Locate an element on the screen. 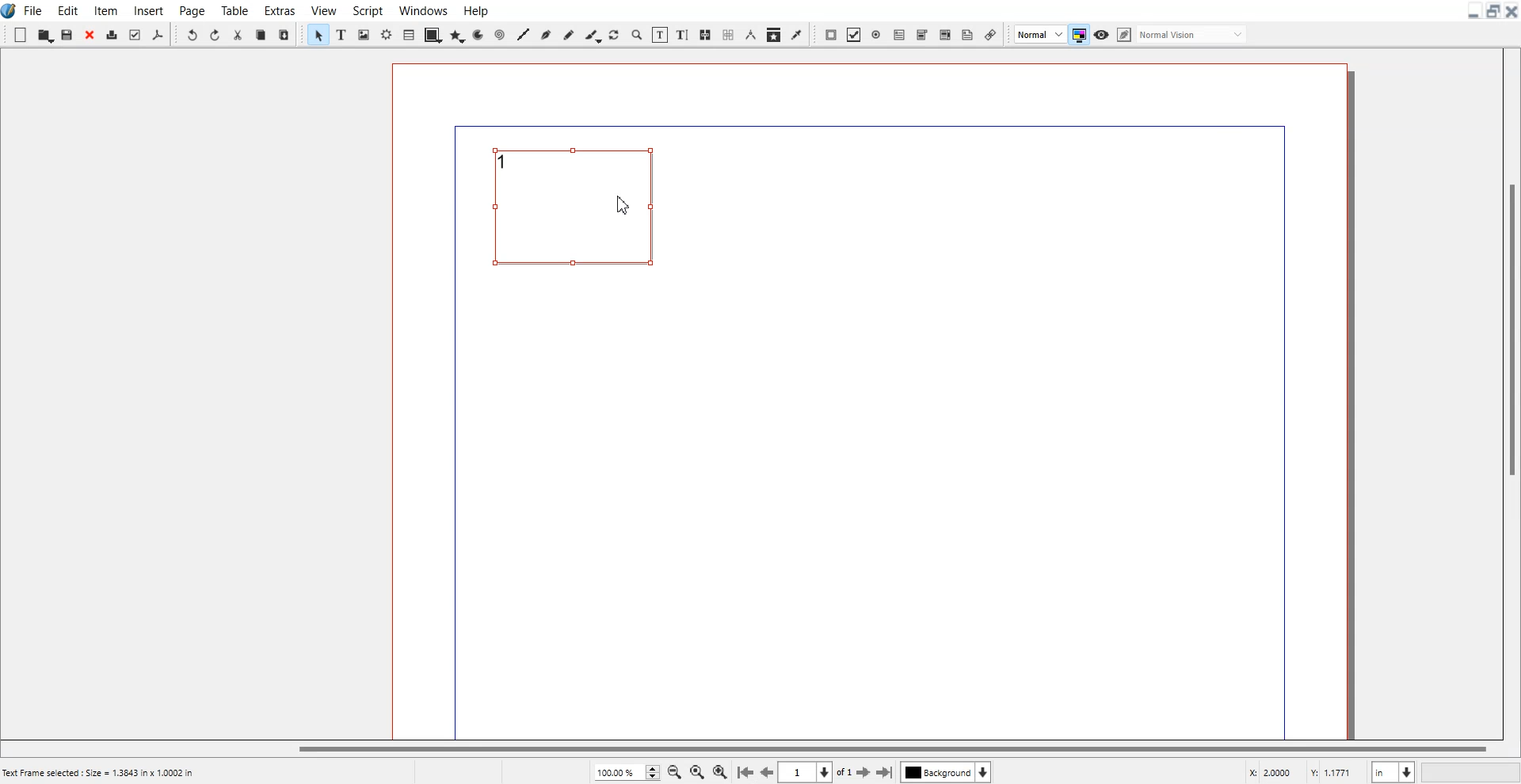  Table is located at coordinates (409, 34).